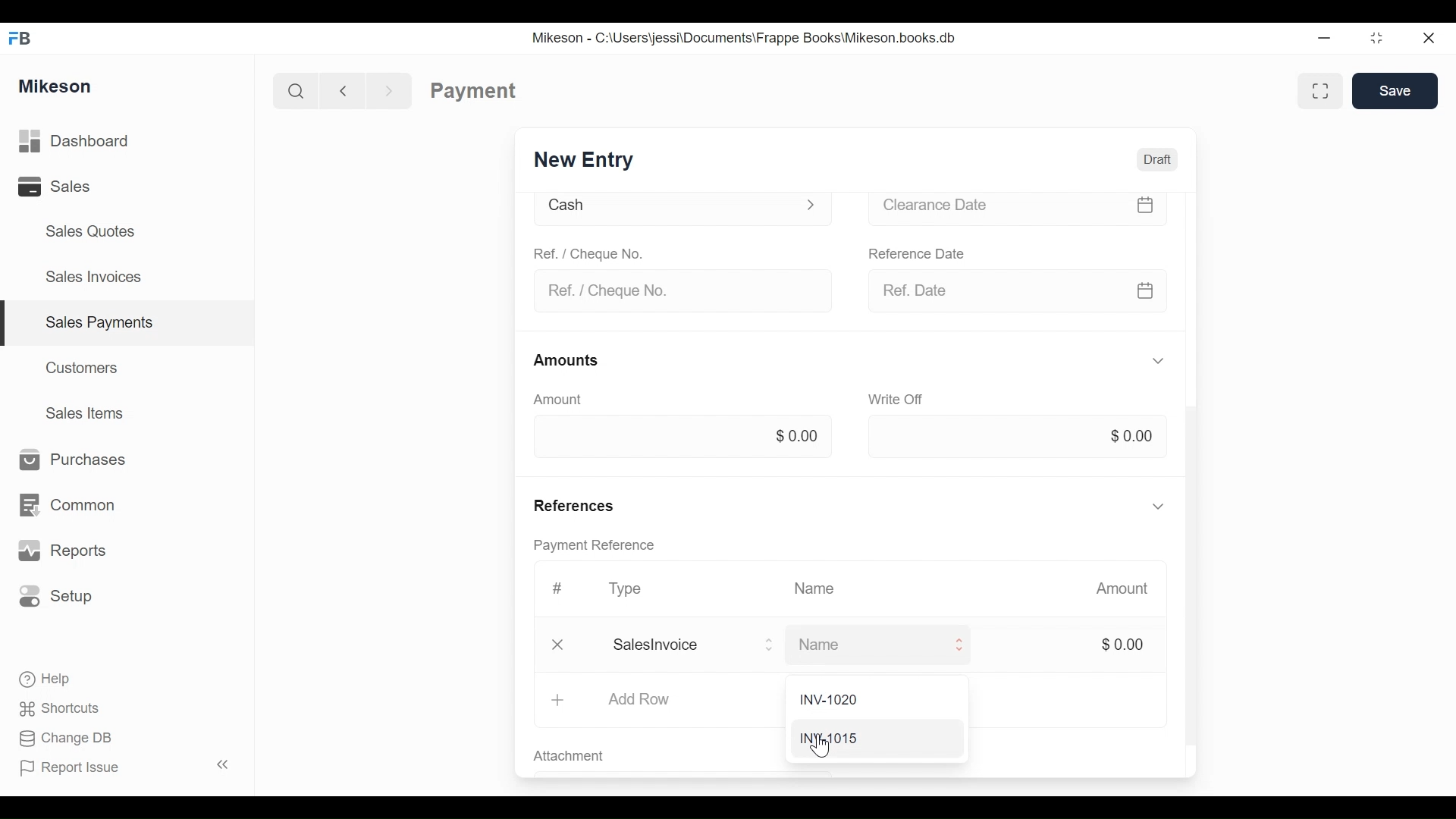  Describe the element at coordinates (560, 698) in the screenshot. I see `Add` at that location.